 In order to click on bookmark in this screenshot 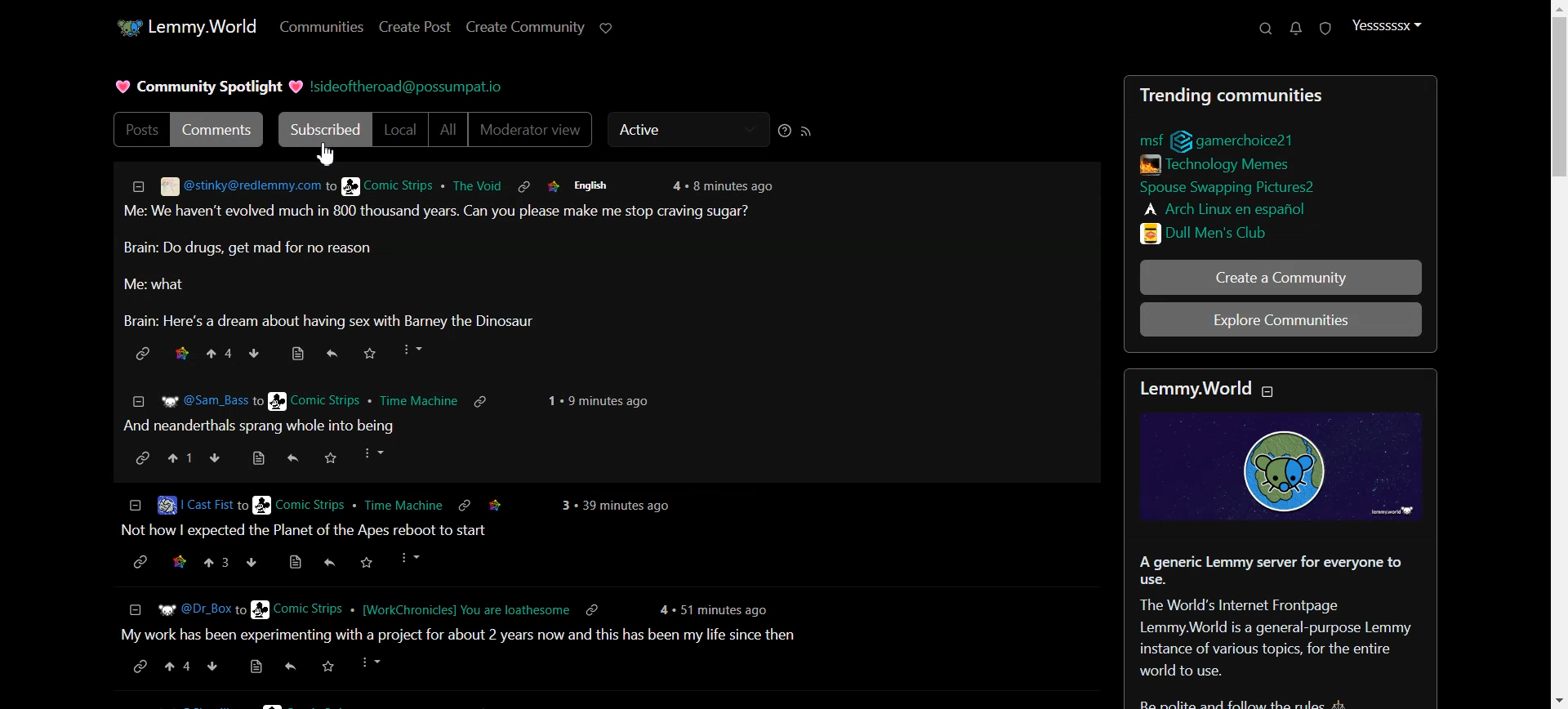, I will do `click(293, 562)`.